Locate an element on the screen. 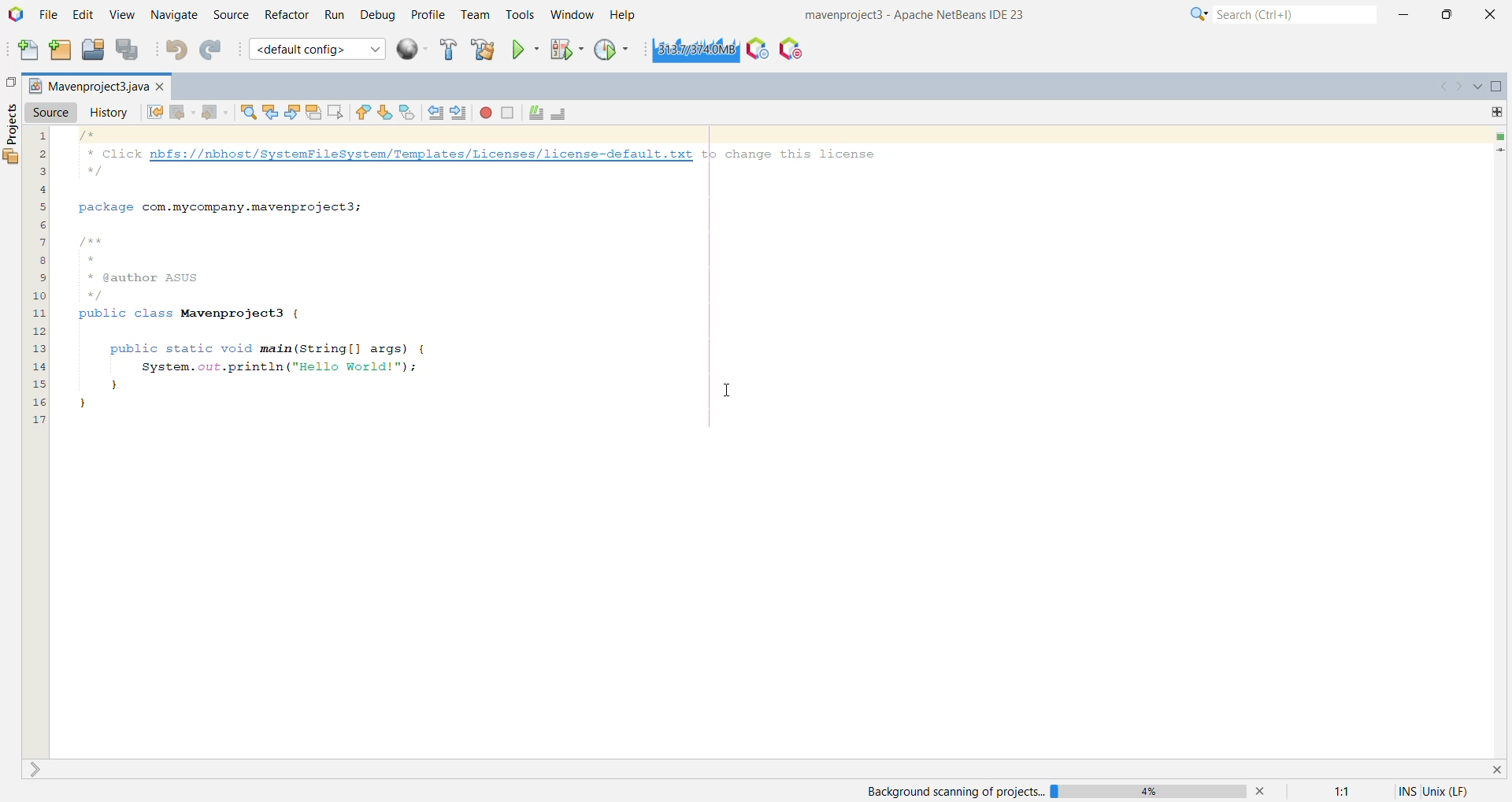 Image resolution: width=1512 pixels, height=802 pixels. Undo is located at coordinates (176, 51).